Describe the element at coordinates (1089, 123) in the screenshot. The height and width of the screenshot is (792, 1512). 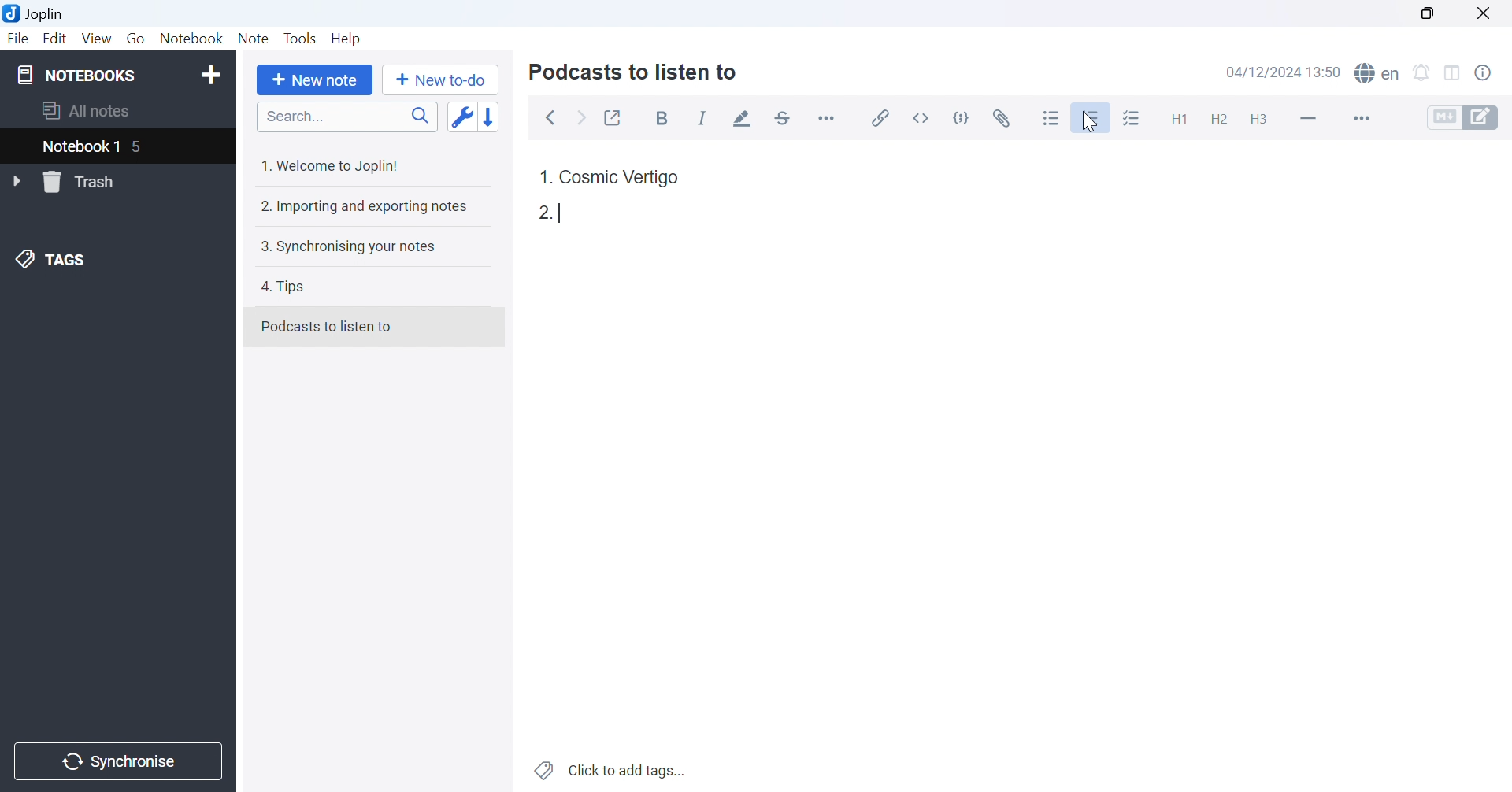
I see `Cursor` at that location.